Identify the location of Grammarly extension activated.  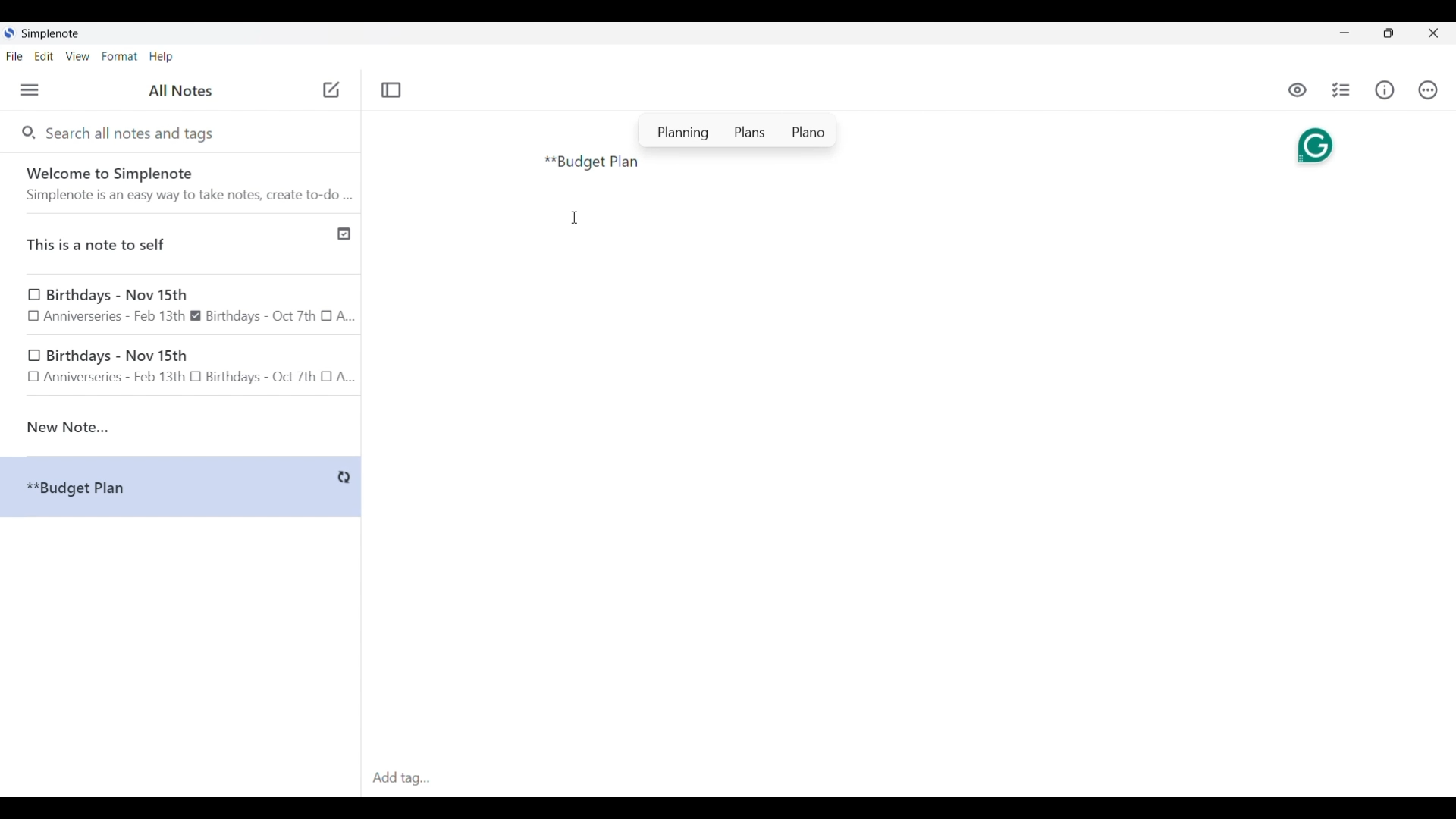
(1313, 143).